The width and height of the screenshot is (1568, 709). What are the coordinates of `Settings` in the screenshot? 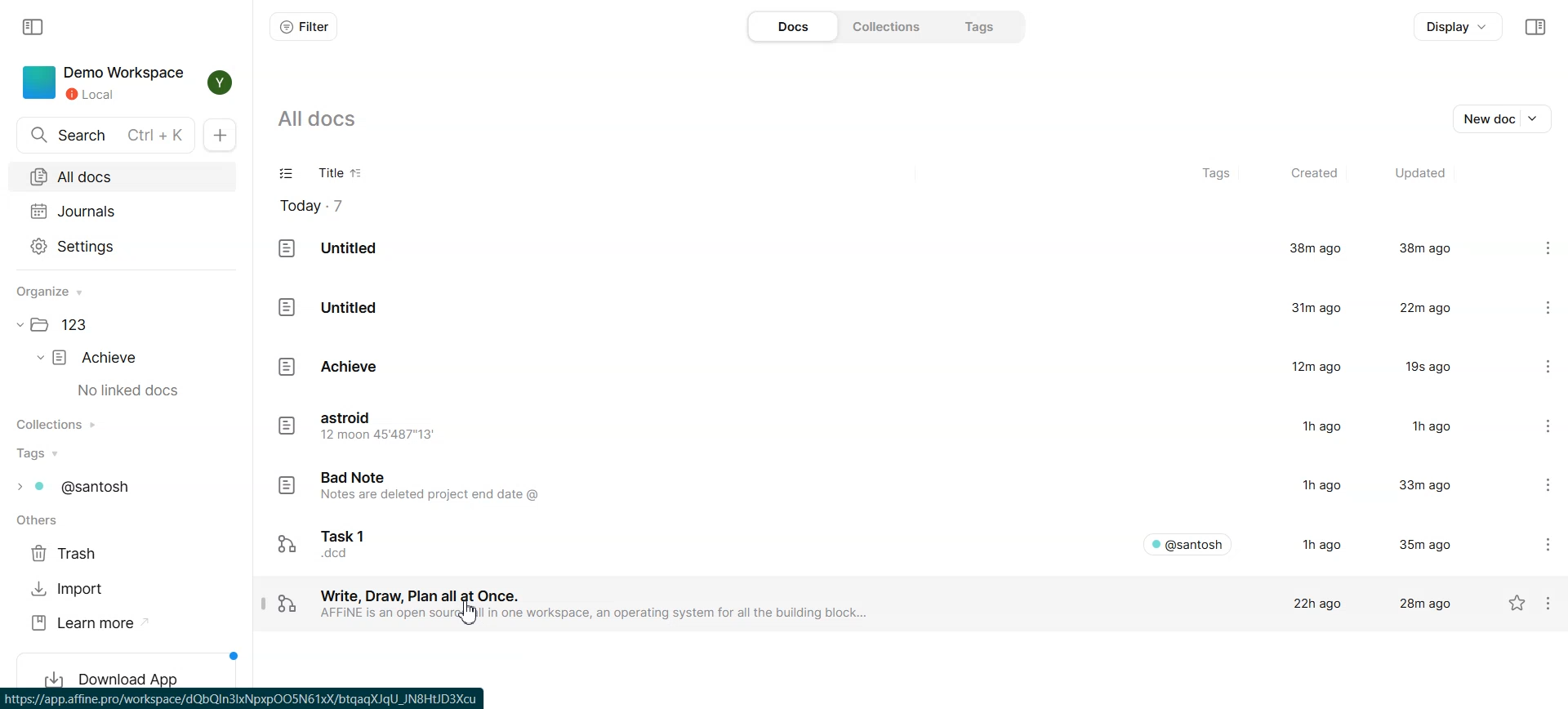 It's located at (1534, 366).